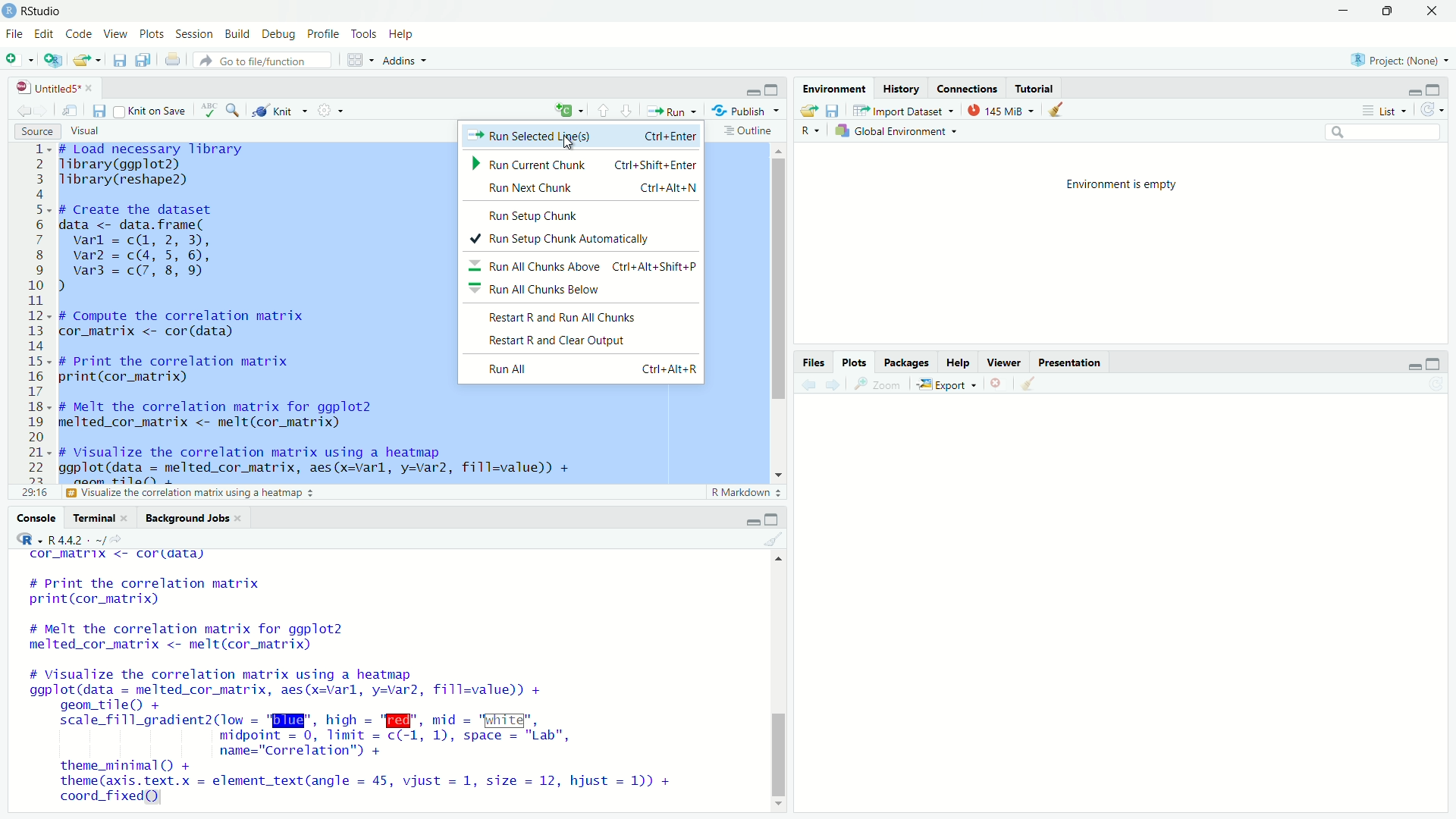  I want to click on vertical scrollbar, so click(780, 280).